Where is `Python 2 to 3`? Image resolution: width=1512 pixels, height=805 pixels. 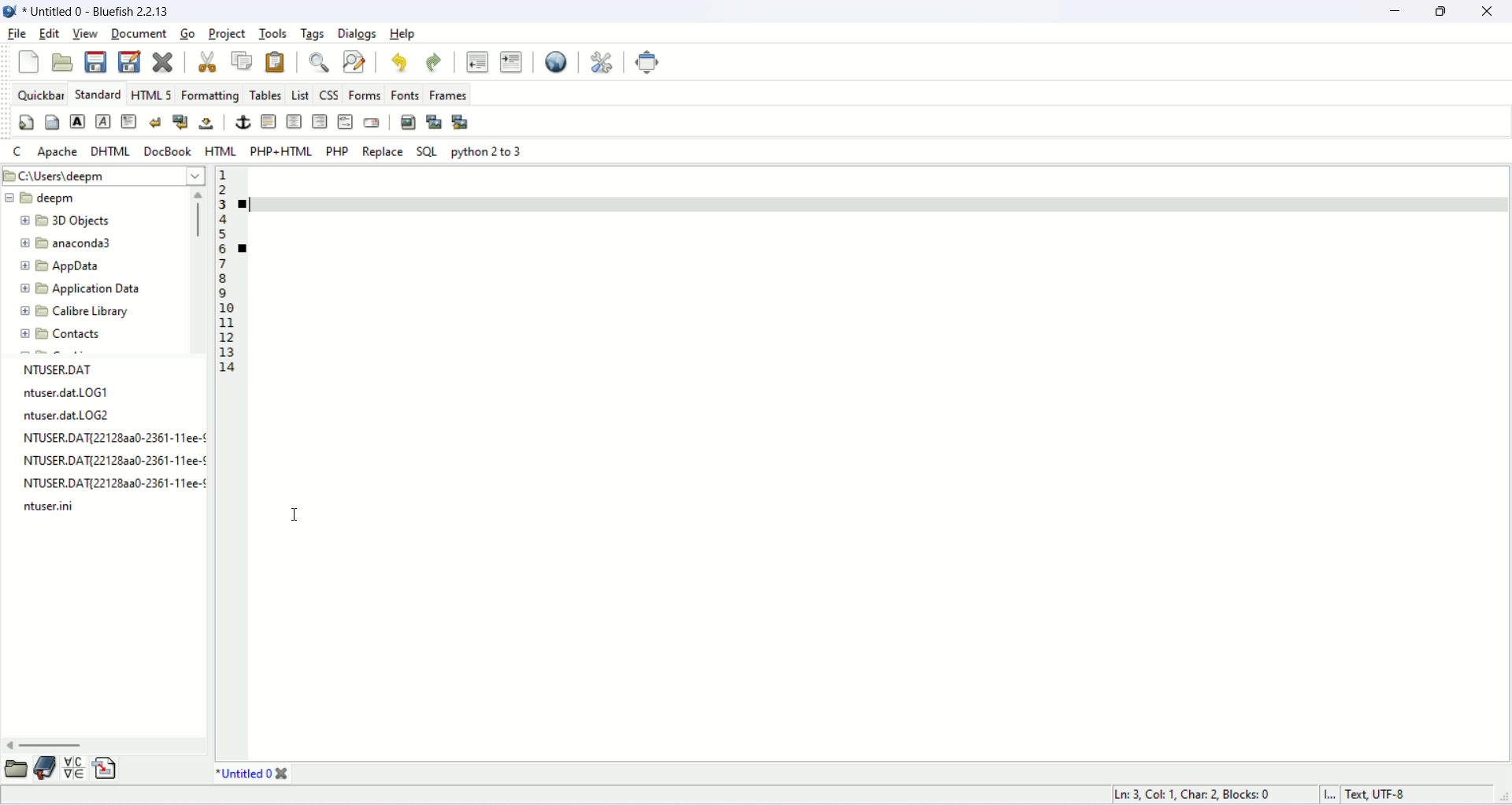 Python 2 to 3 is located at coordinates (488, 151).